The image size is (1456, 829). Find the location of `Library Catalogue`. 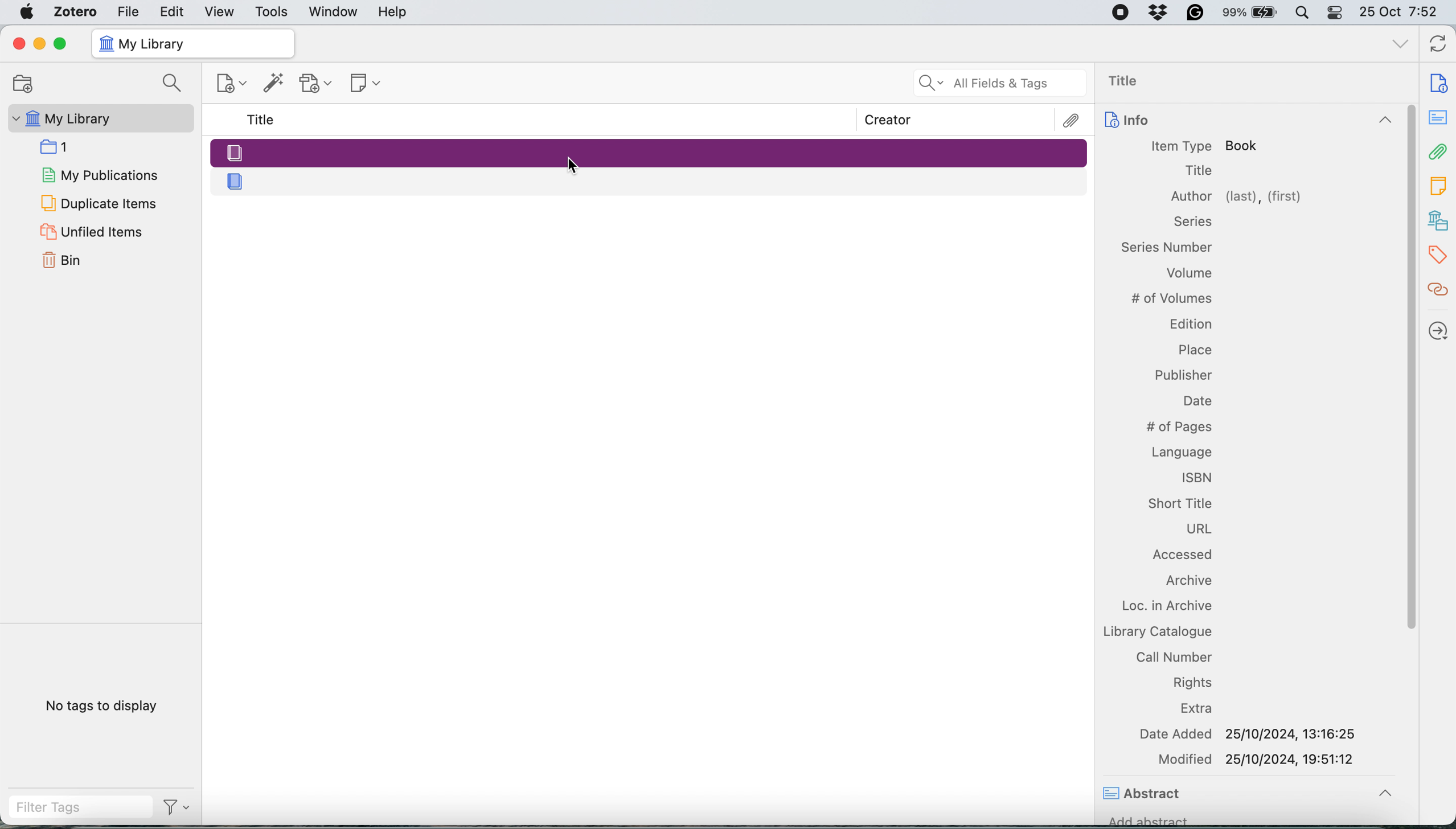

Library Catalogue is located at coordinates (1156, 631).